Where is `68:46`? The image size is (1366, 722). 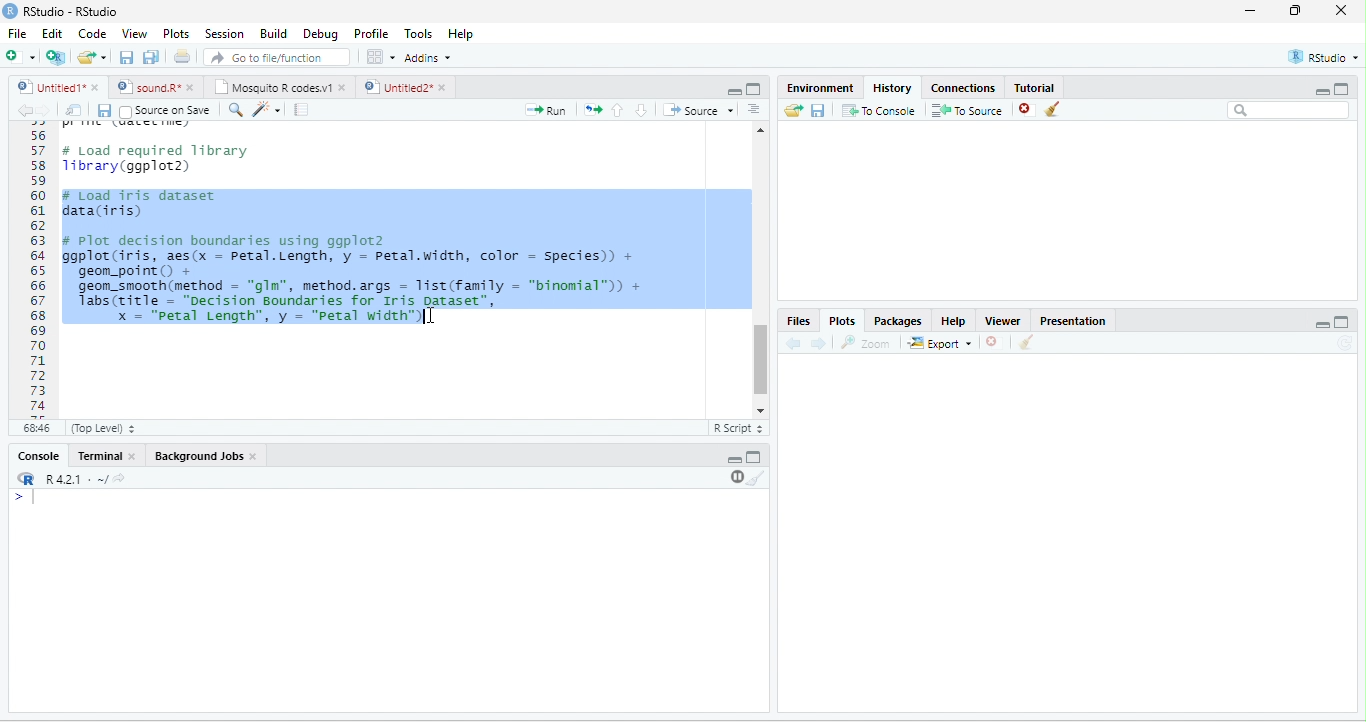 68:46 is located at coordinates (36, 428).